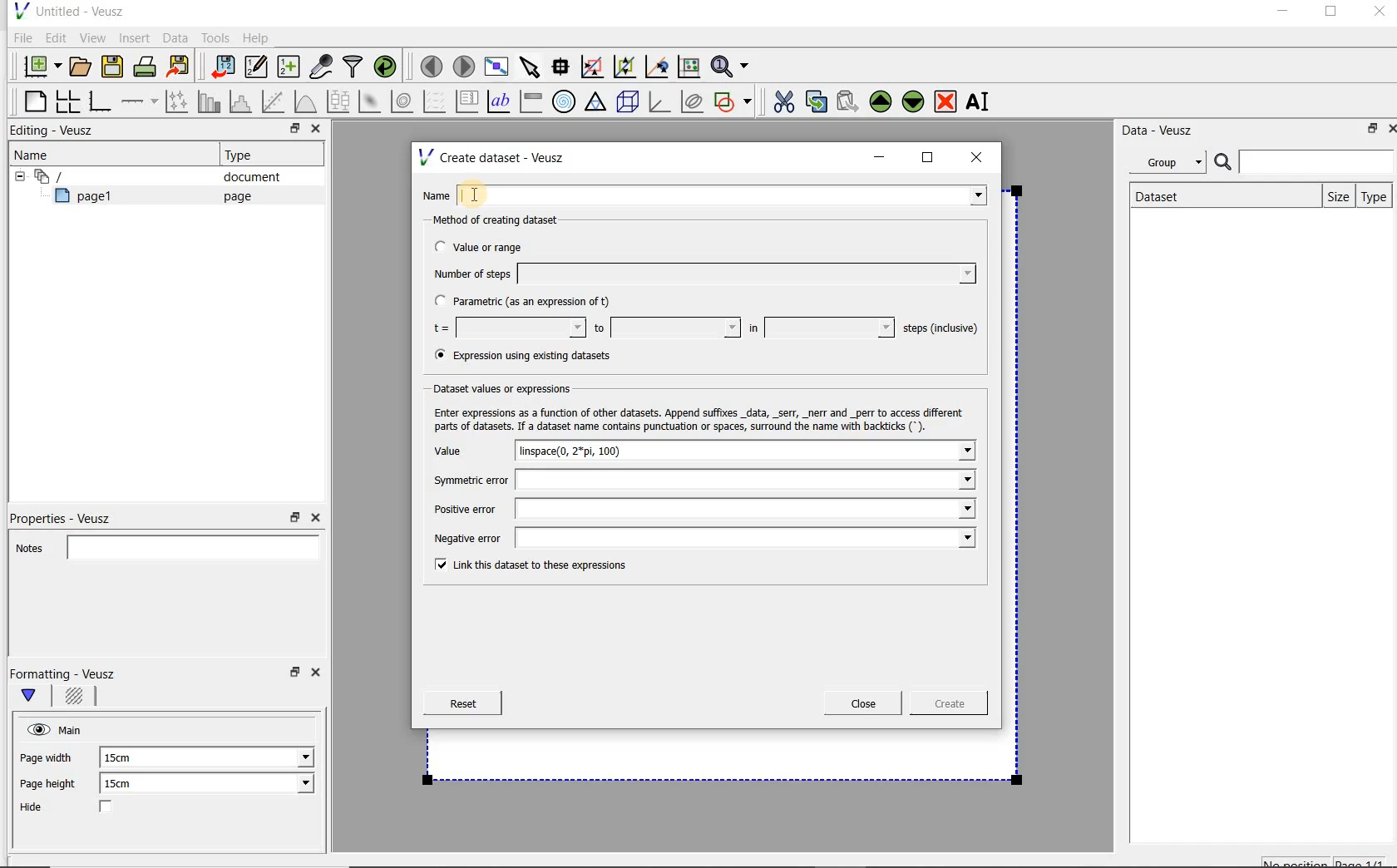  What do you see at coordinates (625, 67) in the screenshot?
I see `click to zoom out of graph axes` at bounding box center [625, 67].